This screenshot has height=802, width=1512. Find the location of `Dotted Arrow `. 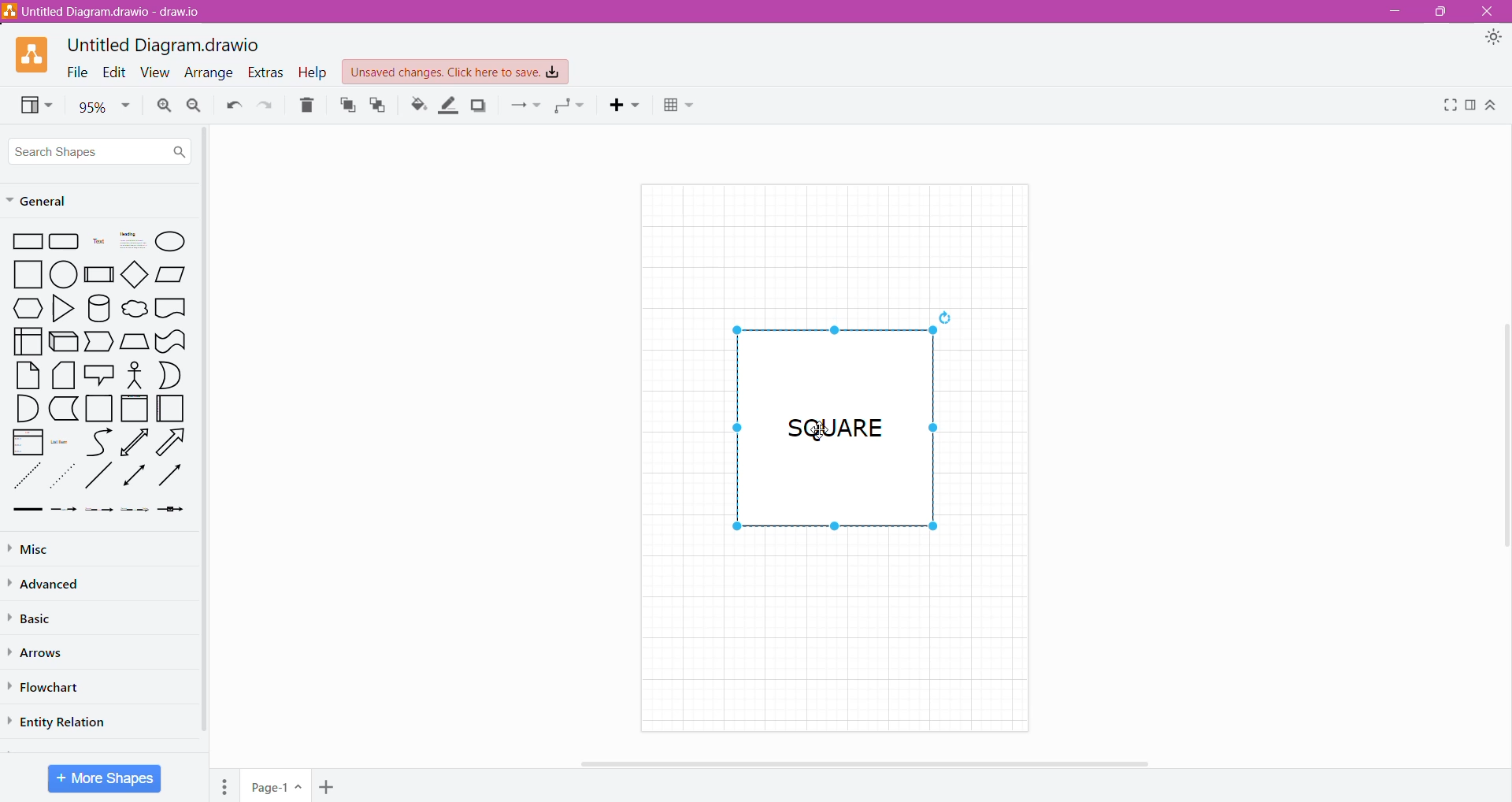

Dotted Arrow  is located at coordinates (64, 477).